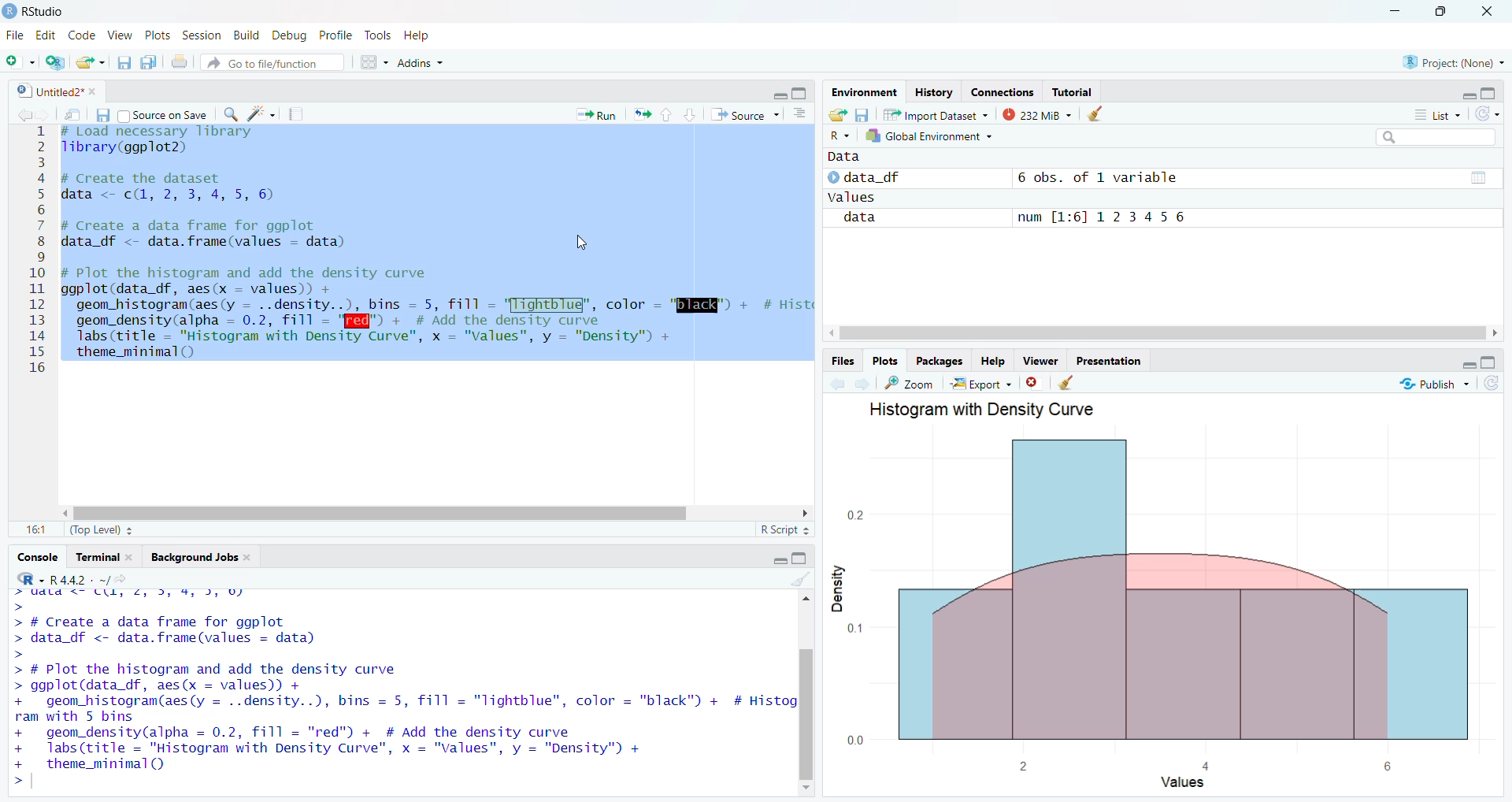 This screenshot has width=1512, height=802. What do you see at coordinates (350, 748) in the screenshot?
I see `geom_density(alpha = 0.2, fill = "red") + # Add the density curve
labs(title = "Histogram with Density Curve", x = "values", y = "Density") +
theme minimal` at bounding box center [350, 748].